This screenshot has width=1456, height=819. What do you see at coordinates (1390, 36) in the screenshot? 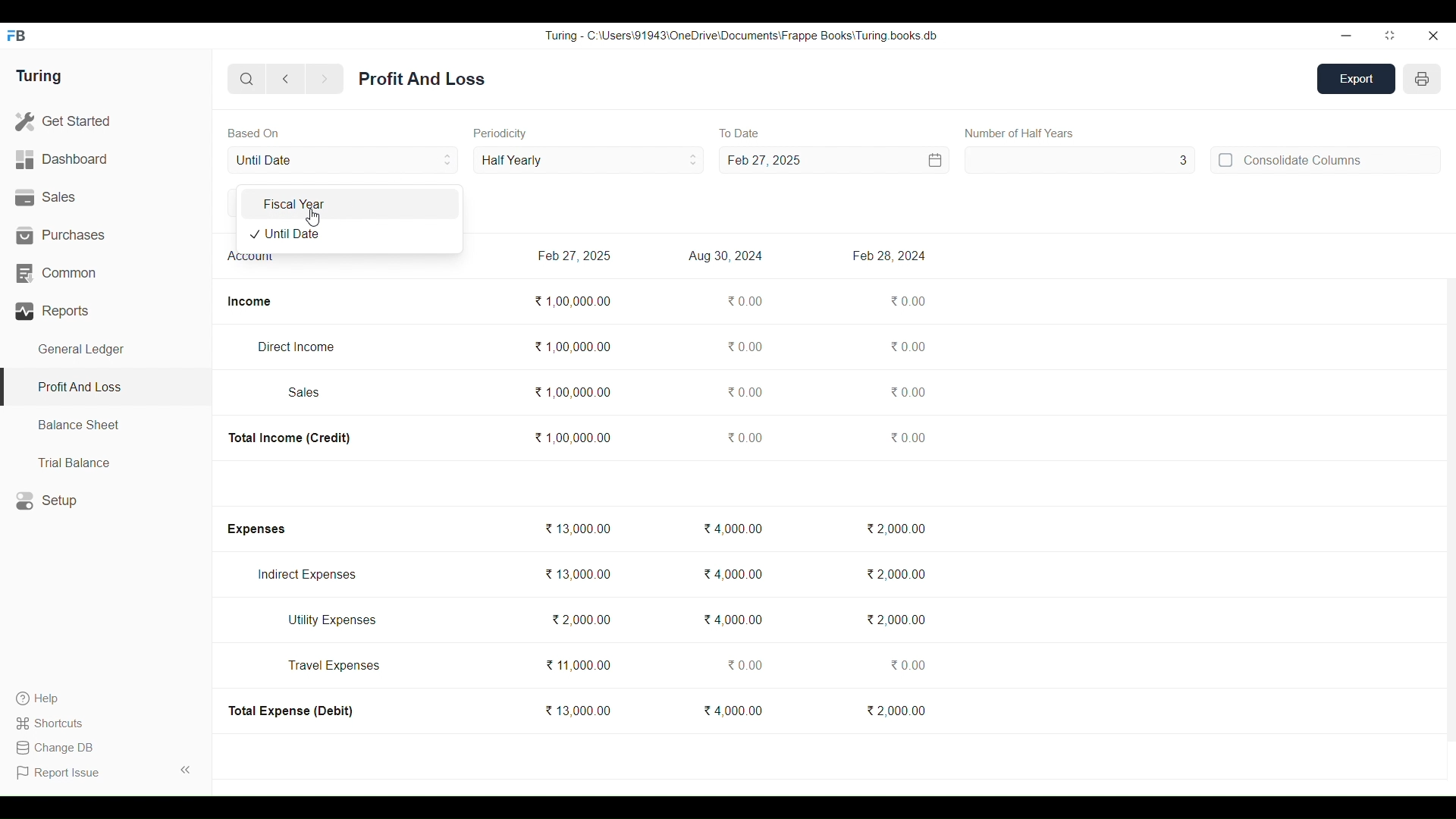
I see `Change dimension` at bounding box center [1390, 36].